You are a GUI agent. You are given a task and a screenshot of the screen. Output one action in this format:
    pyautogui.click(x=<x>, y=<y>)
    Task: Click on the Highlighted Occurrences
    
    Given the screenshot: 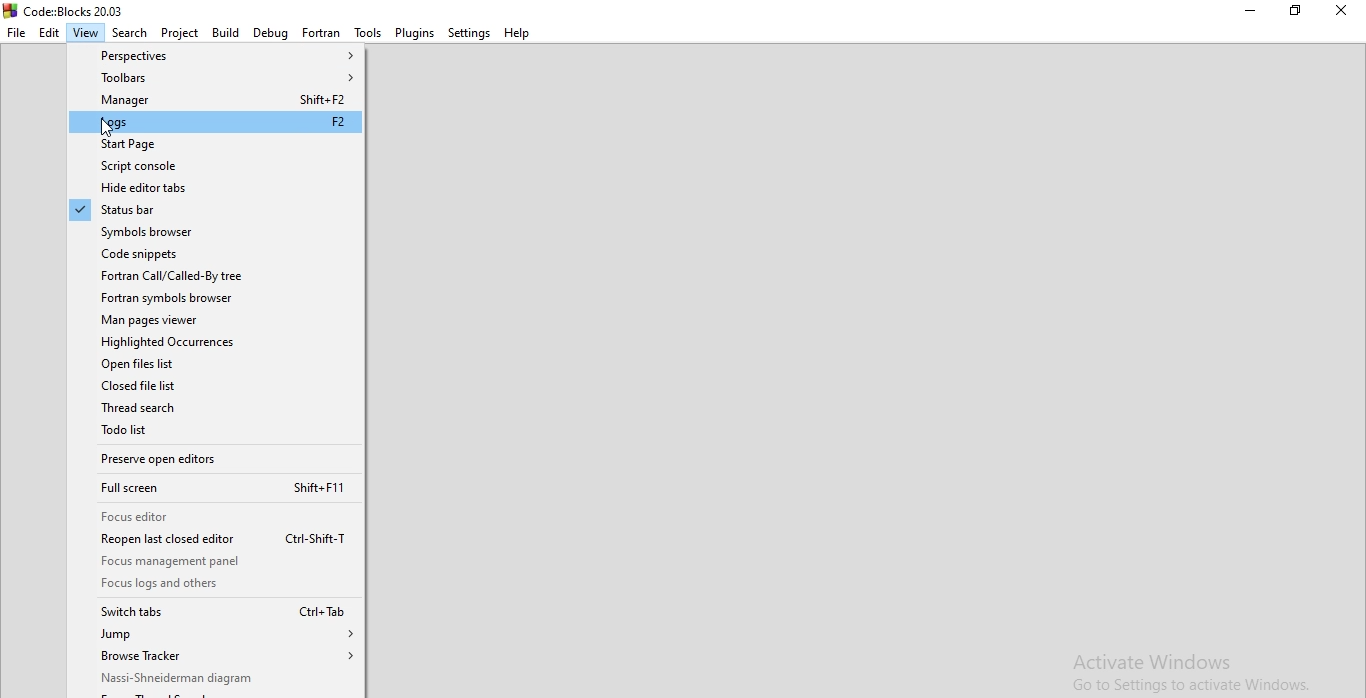 What is the action you would take?
    pyautogui.click(x=214, y=341)
    